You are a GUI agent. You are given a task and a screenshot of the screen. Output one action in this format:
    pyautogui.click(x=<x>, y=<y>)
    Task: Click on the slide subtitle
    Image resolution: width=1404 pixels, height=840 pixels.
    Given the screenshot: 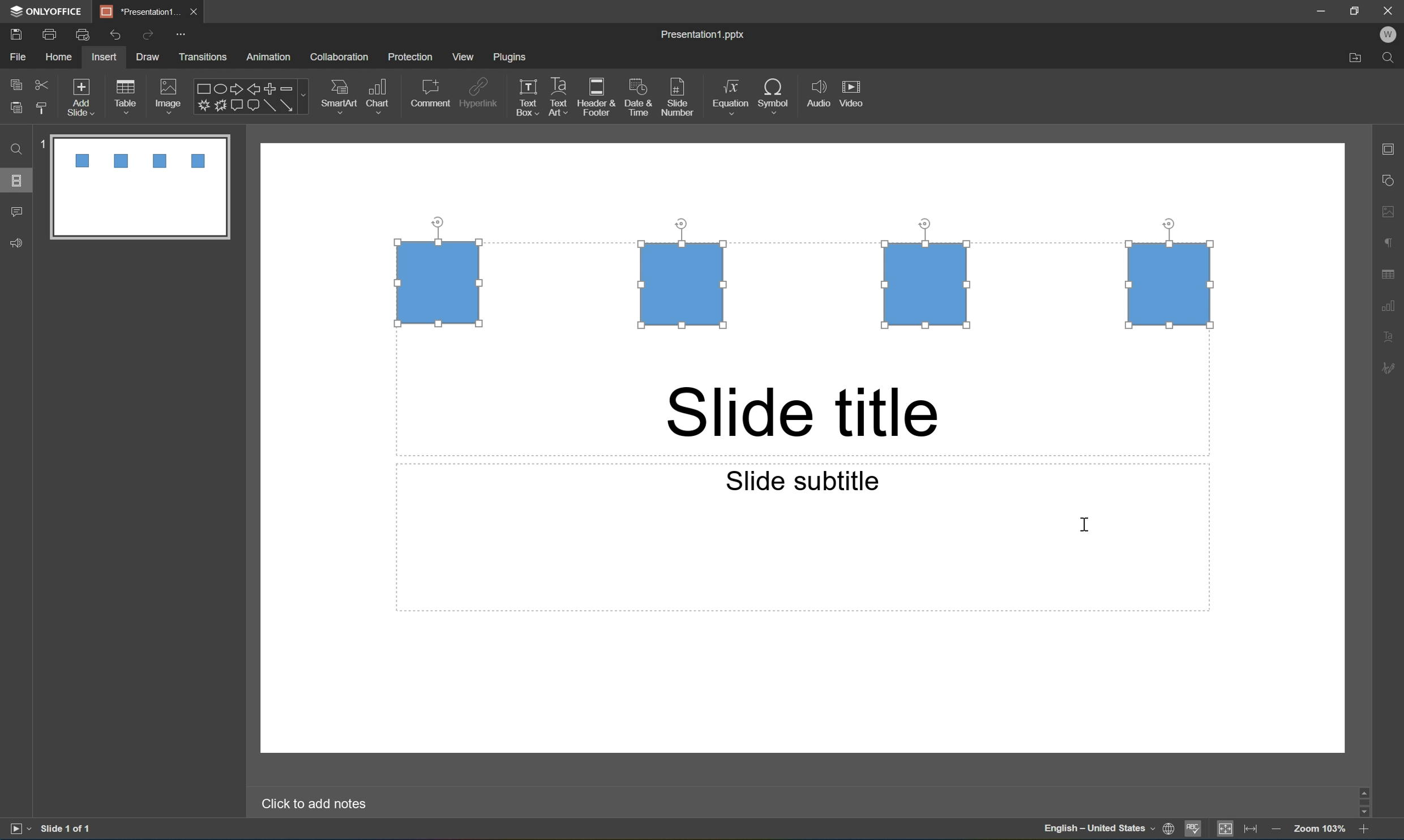 What is the action you would take?
    pyautogui.click(x=801, y=480)
    